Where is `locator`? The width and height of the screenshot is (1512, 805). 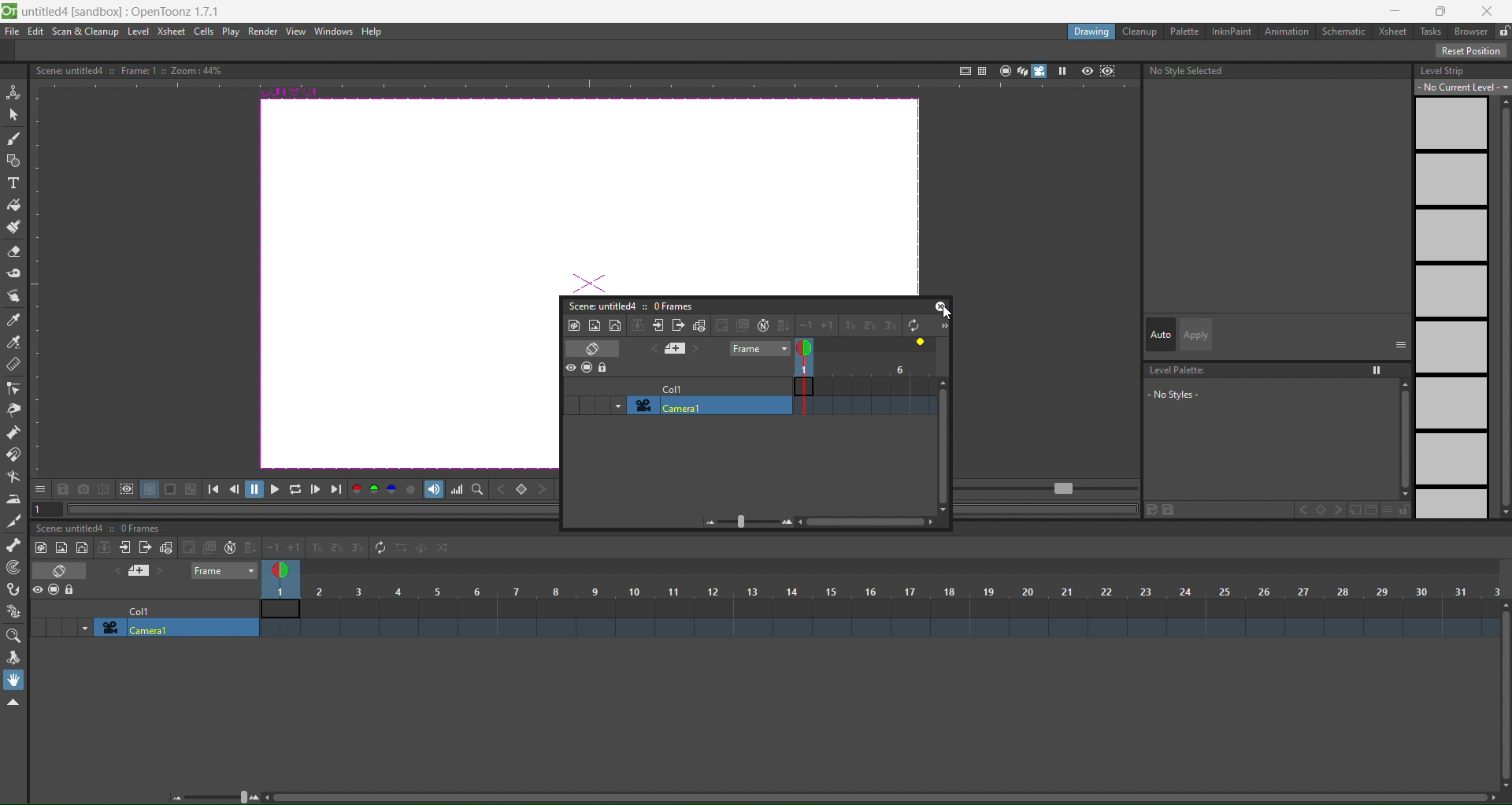 locator is located at coordinates (478, 490).